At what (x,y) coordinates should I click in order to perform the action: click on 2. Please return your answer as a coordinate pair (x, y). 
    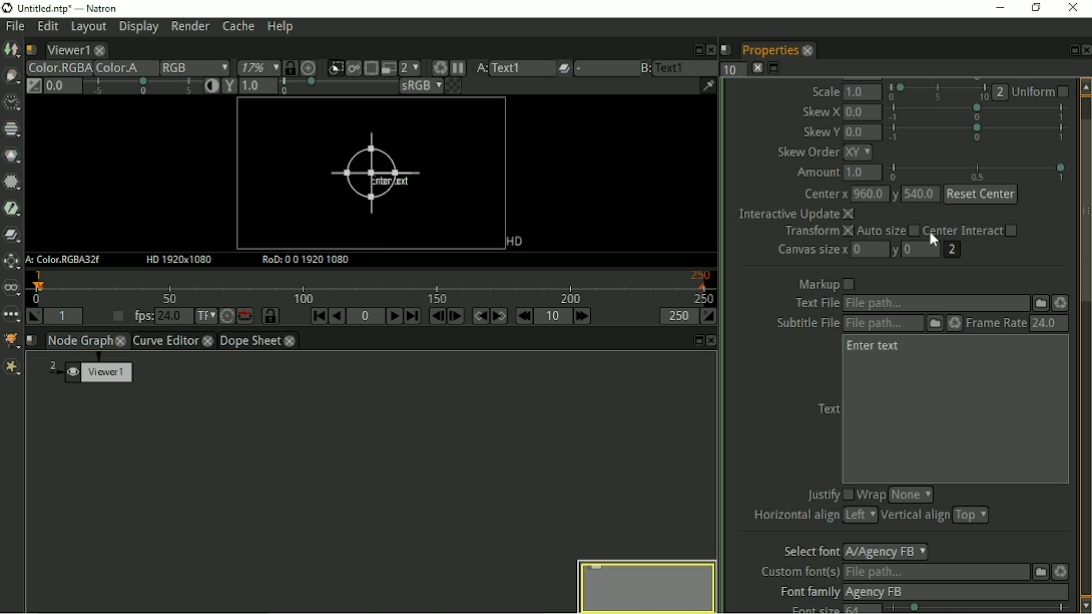
    Looking at the image, I should click on (1001, 92).